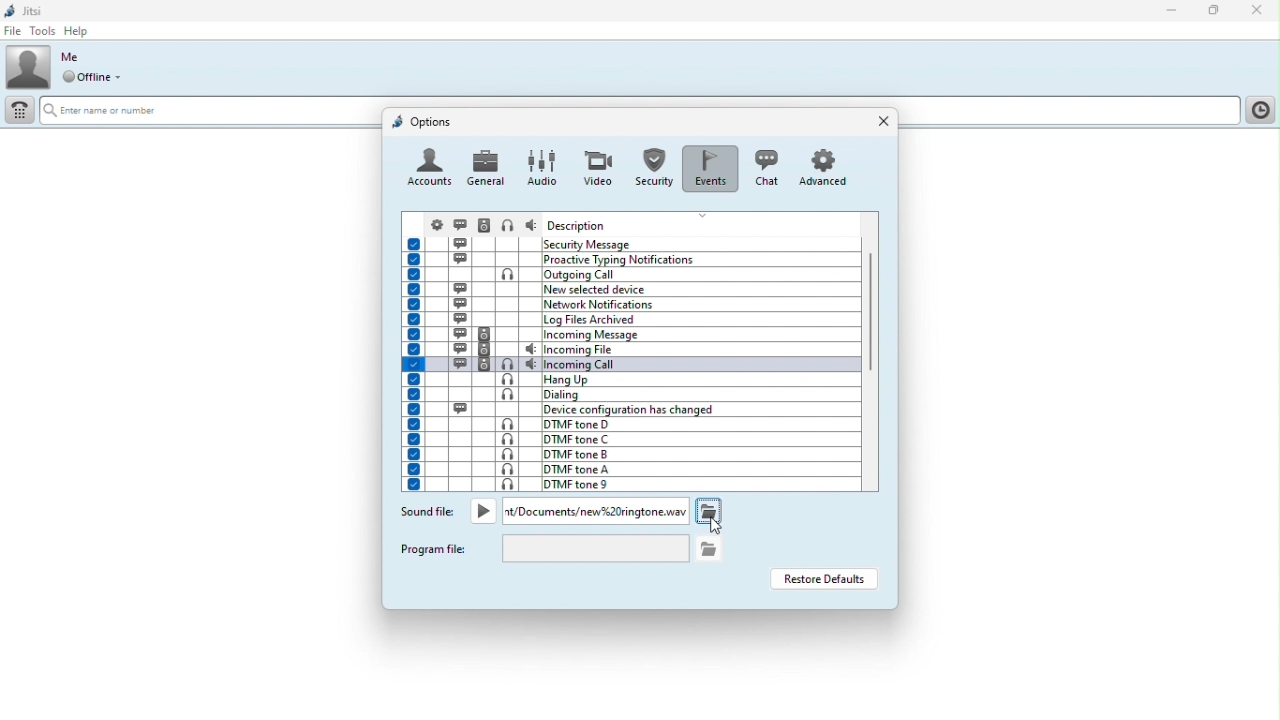  Describe the element at coordinates (625, 439) in the screenshot. I see `DTMF tone C` at that location.